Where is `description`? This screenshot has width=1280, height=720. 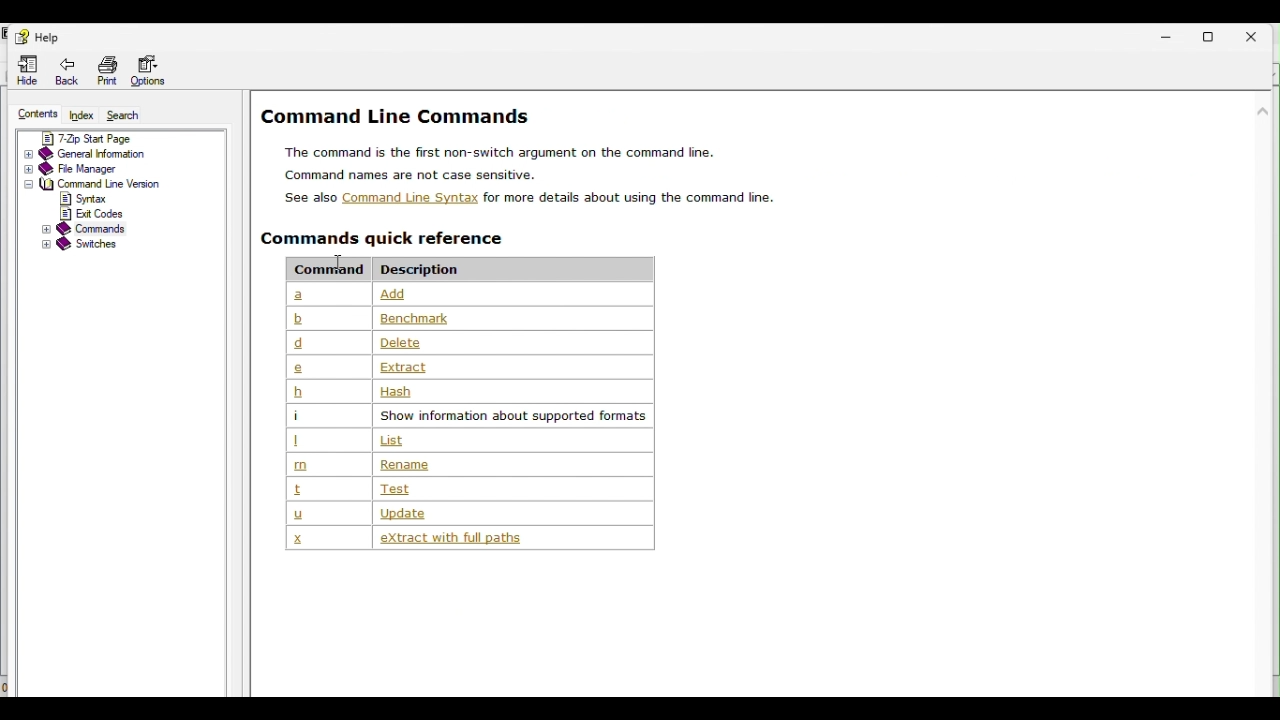
description is located at coordinates (409, 368).